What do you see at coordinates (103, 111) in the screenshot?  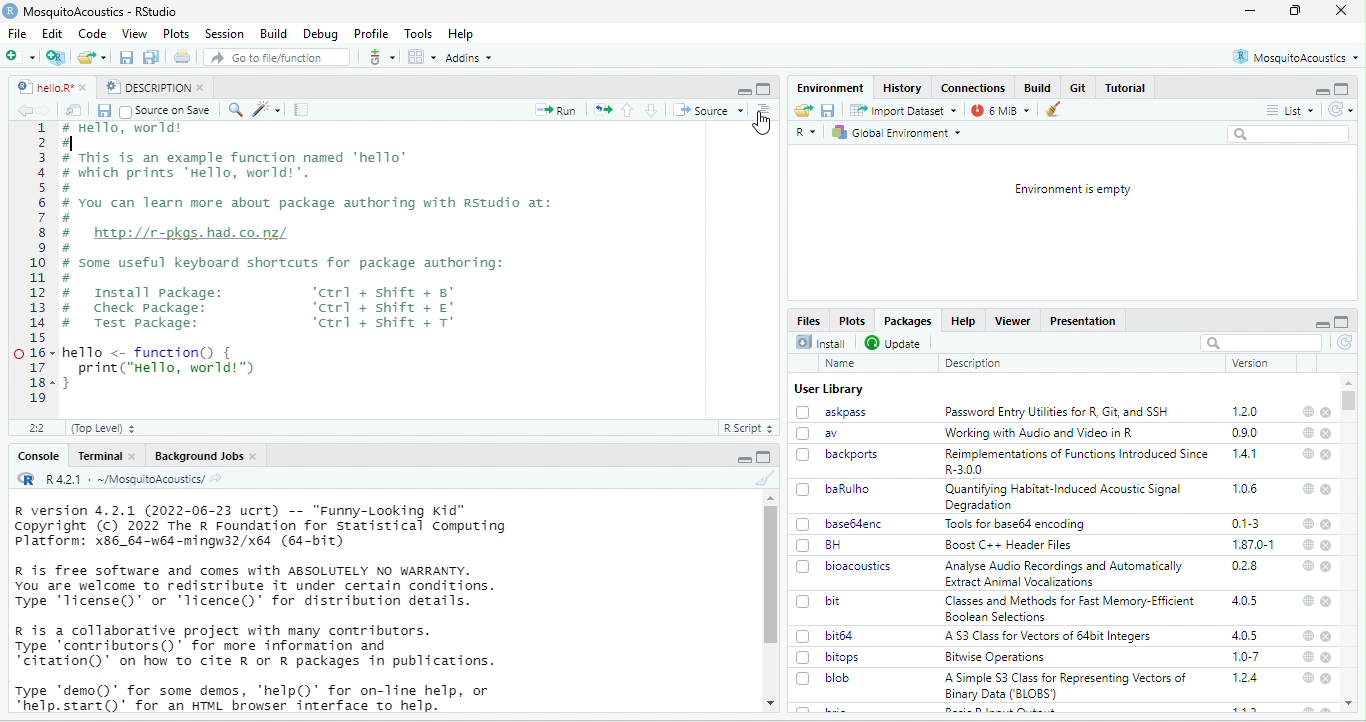 I see `Save` at bounding box center [103, 111].